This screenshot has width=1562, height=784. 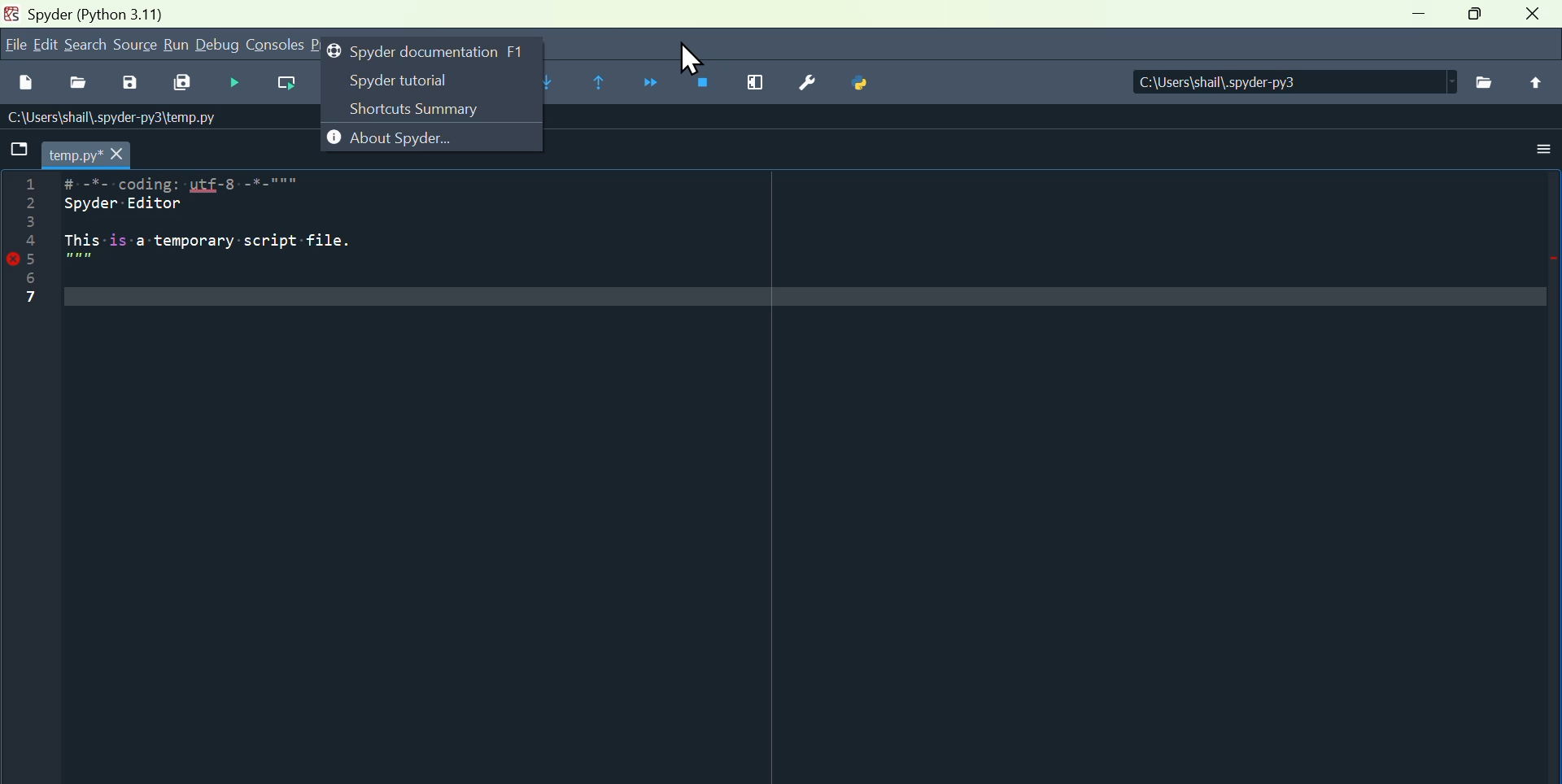 I want to click on Start debugging, so click(x=235, y=85).